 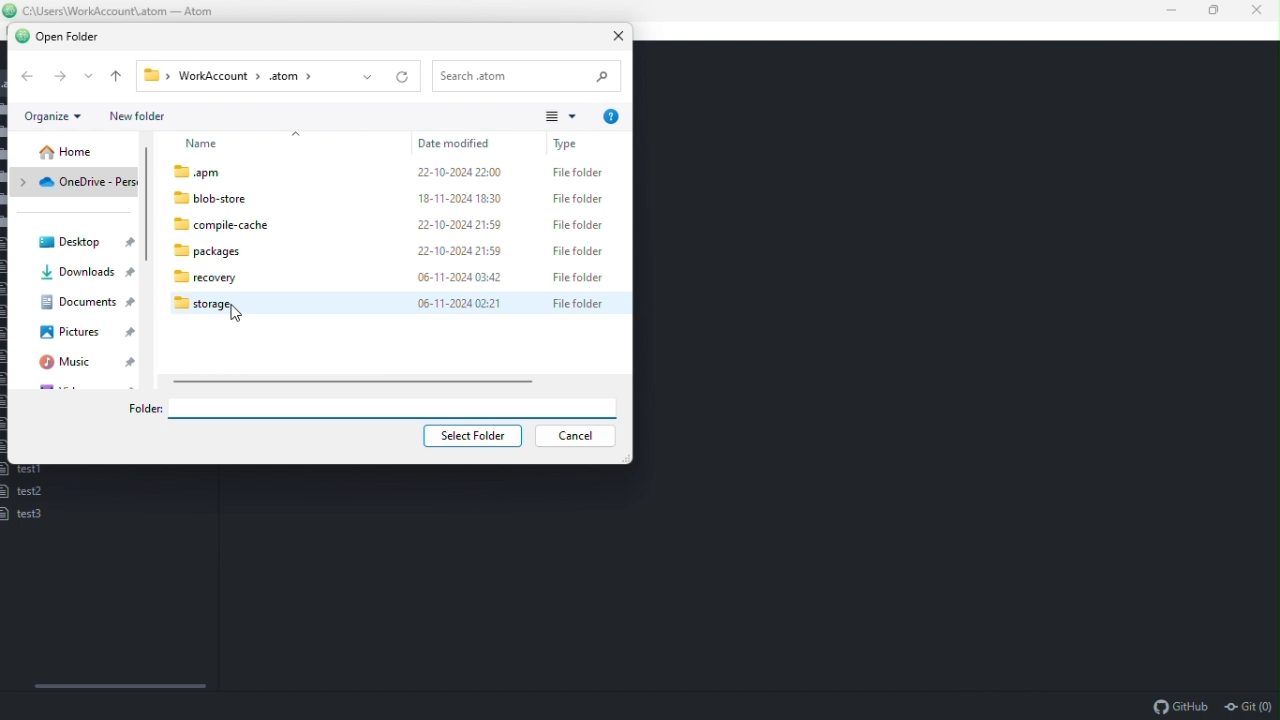 I want to click on Horizontal scroll bar, so click(x=119, y=686).